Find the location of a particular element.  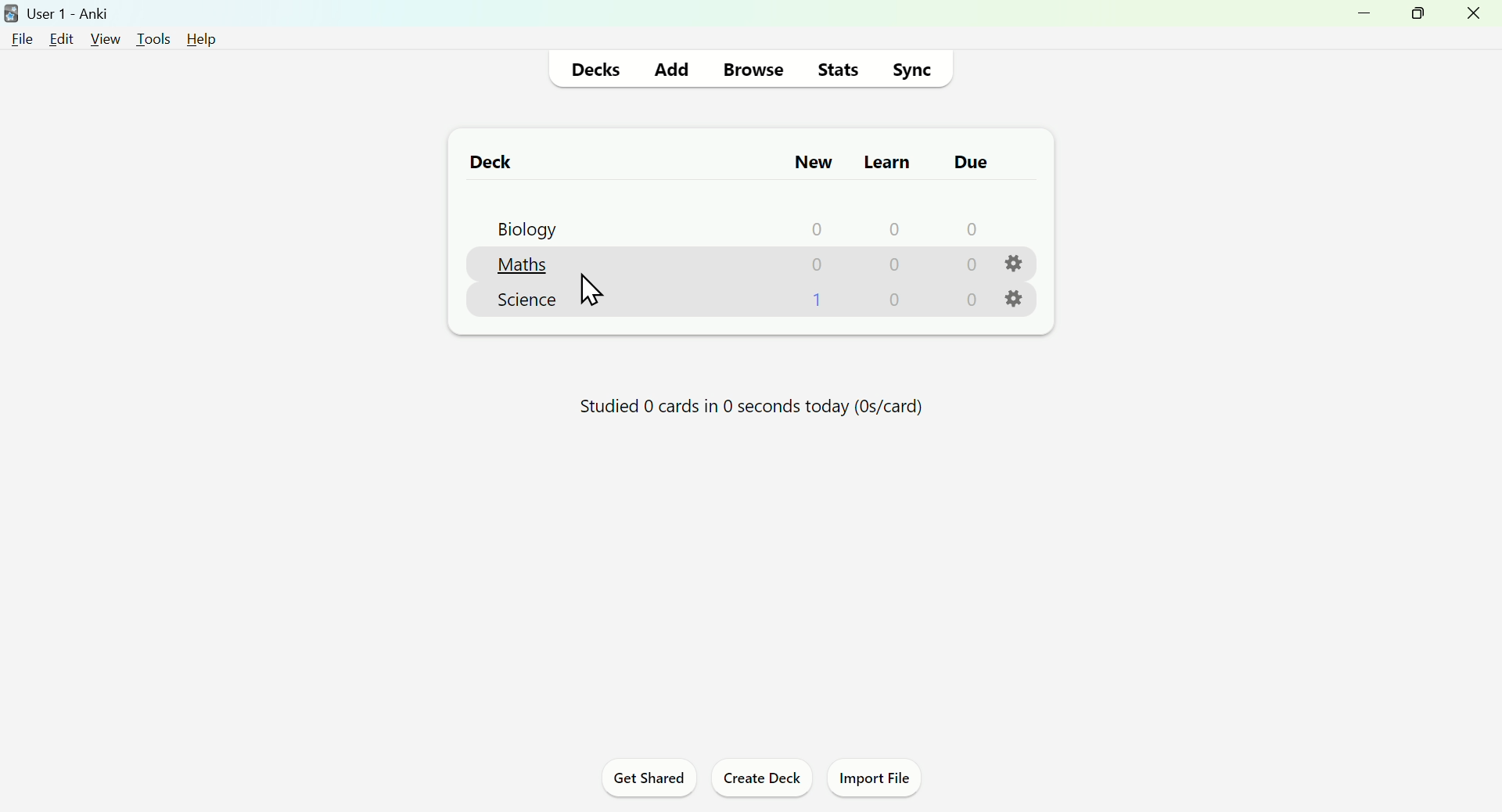

File is located at coordinates (23, 38).